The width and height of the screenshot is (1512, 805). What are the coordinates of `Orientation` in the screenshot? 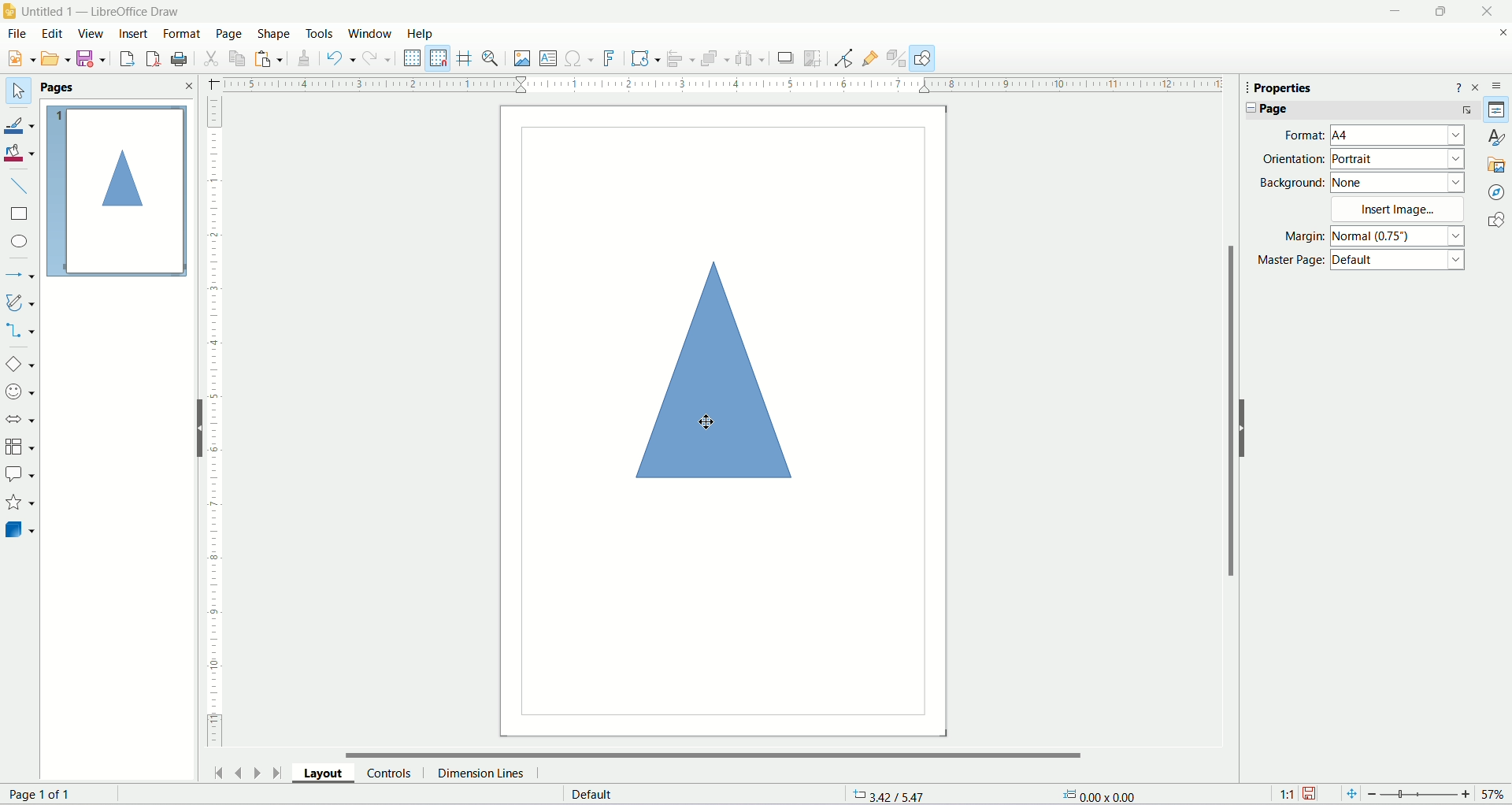 It's located at (1291, 160).